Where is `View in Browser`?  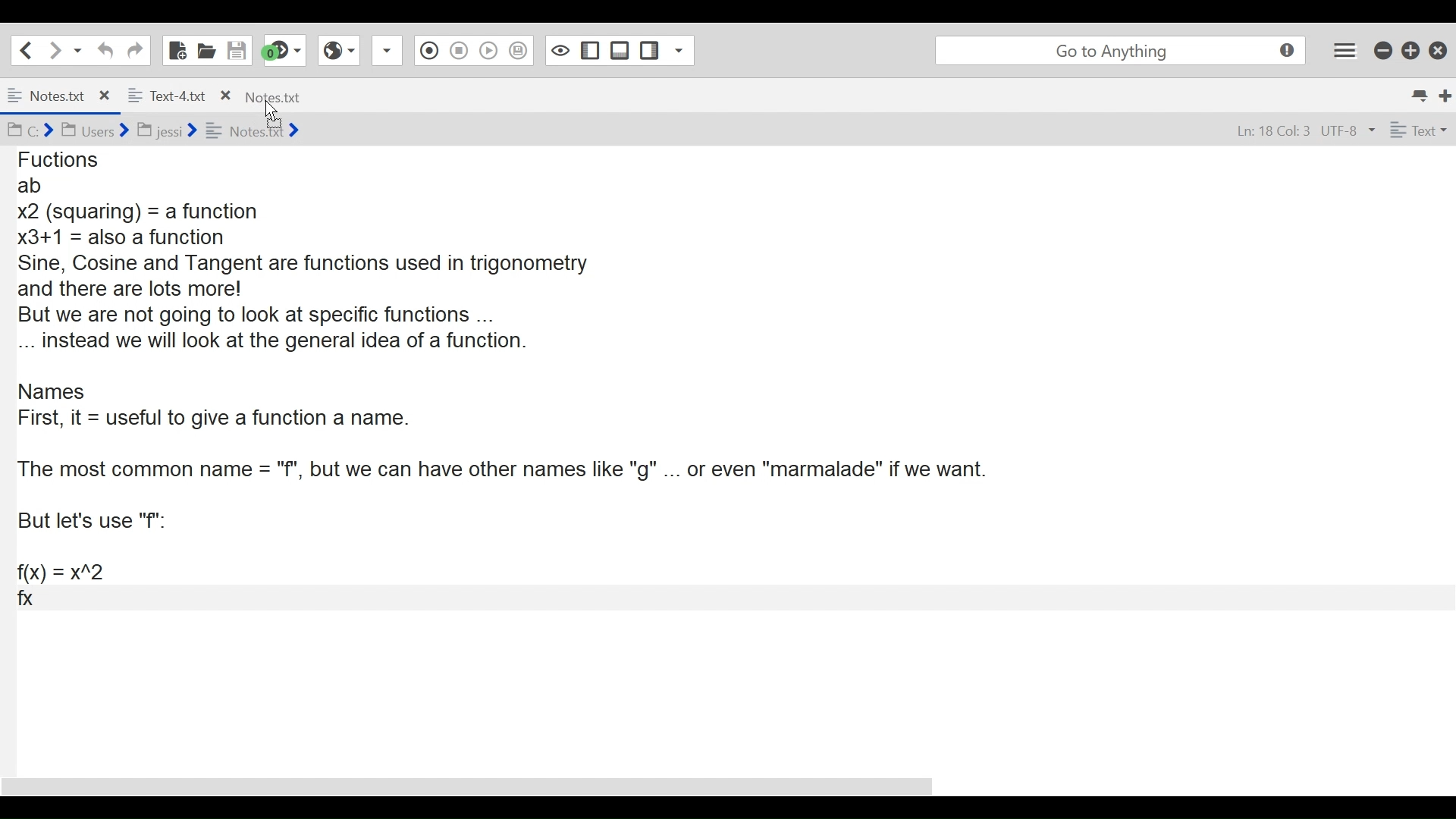 View in Browser is located at coordinates (340, 51).